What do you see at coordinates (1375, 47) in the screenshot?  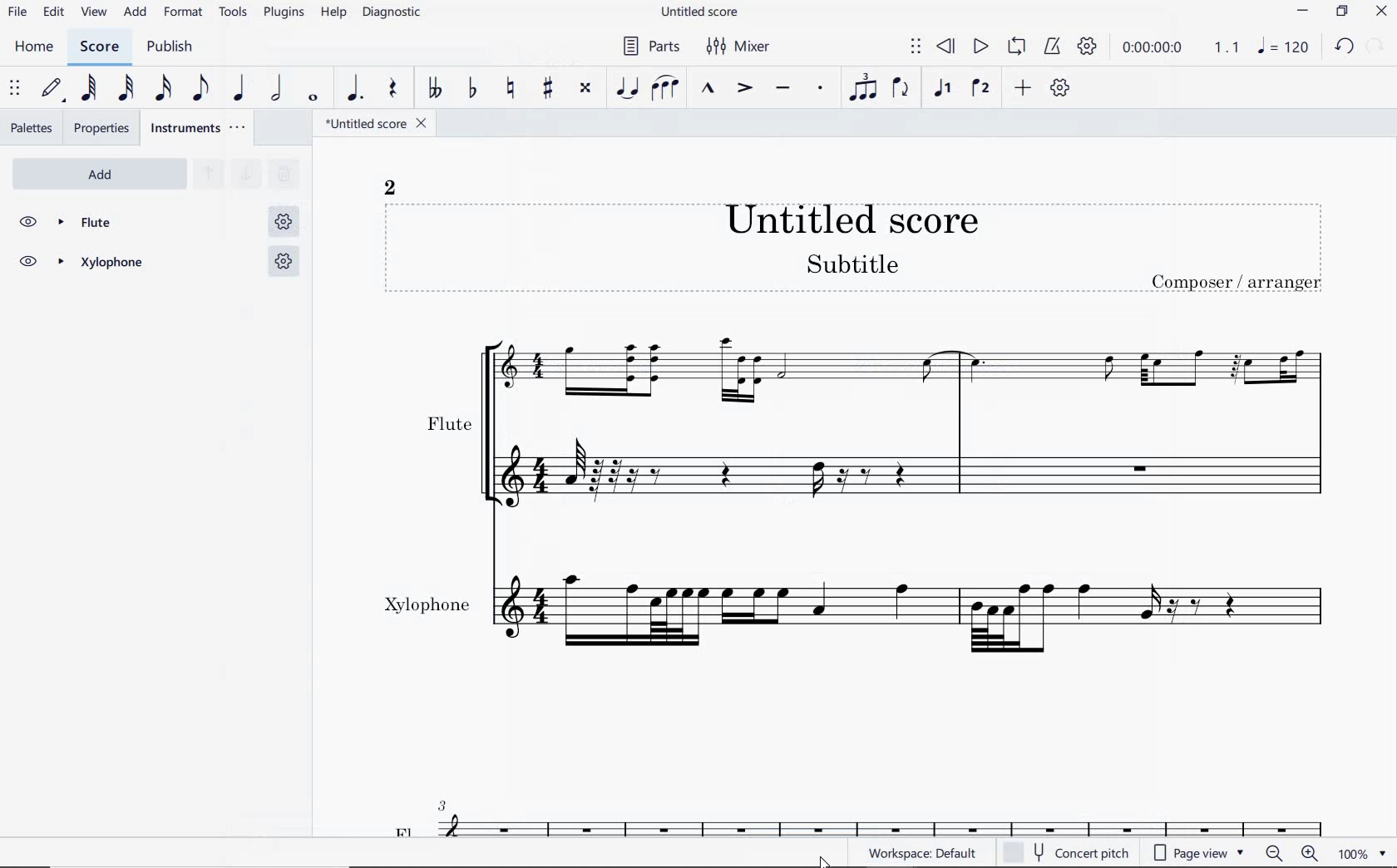 I see `REDO` at bounding box center [1375, 47].